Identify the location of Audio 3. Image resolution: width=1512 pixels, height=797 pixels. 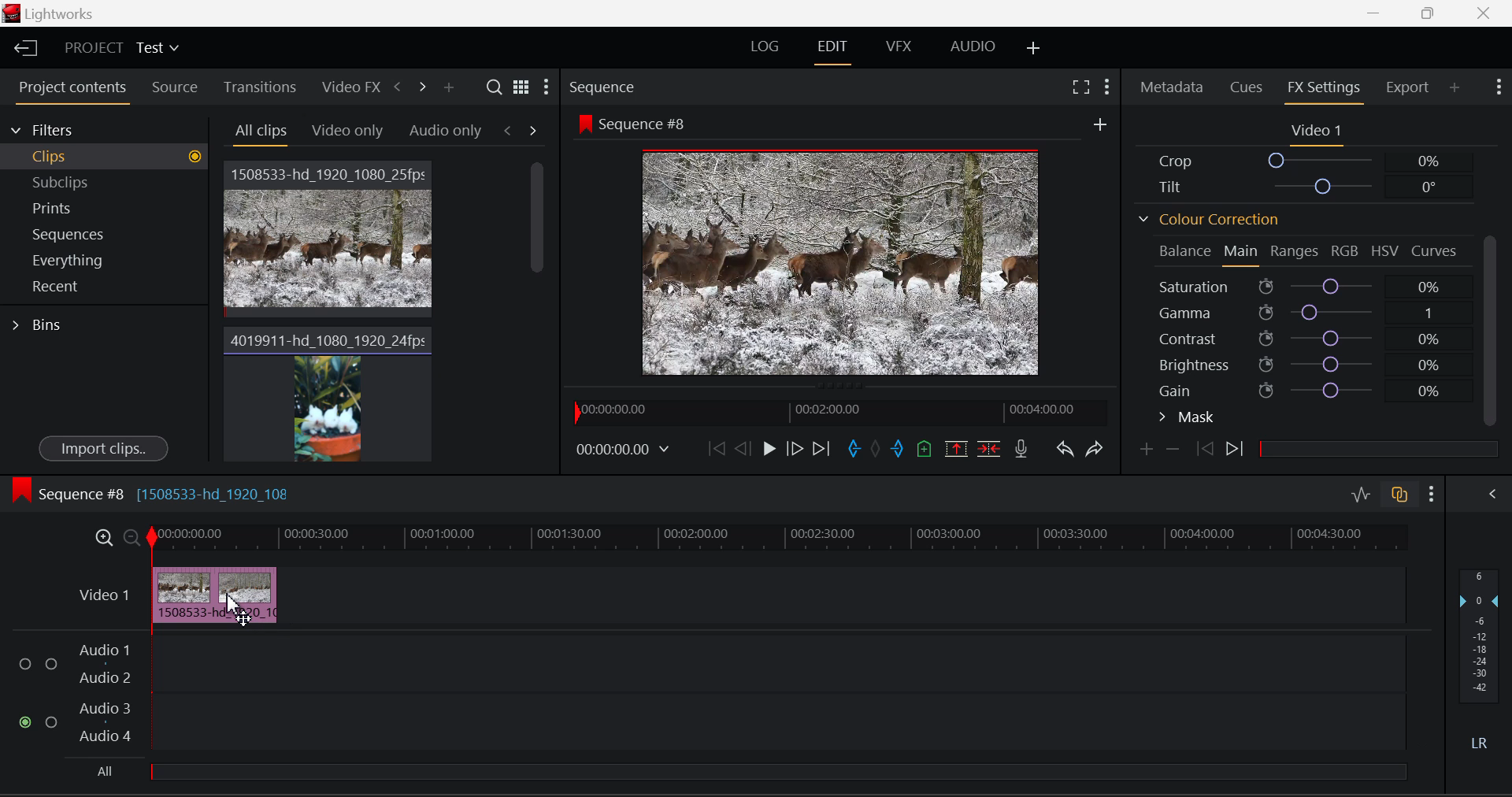
(106, 710).